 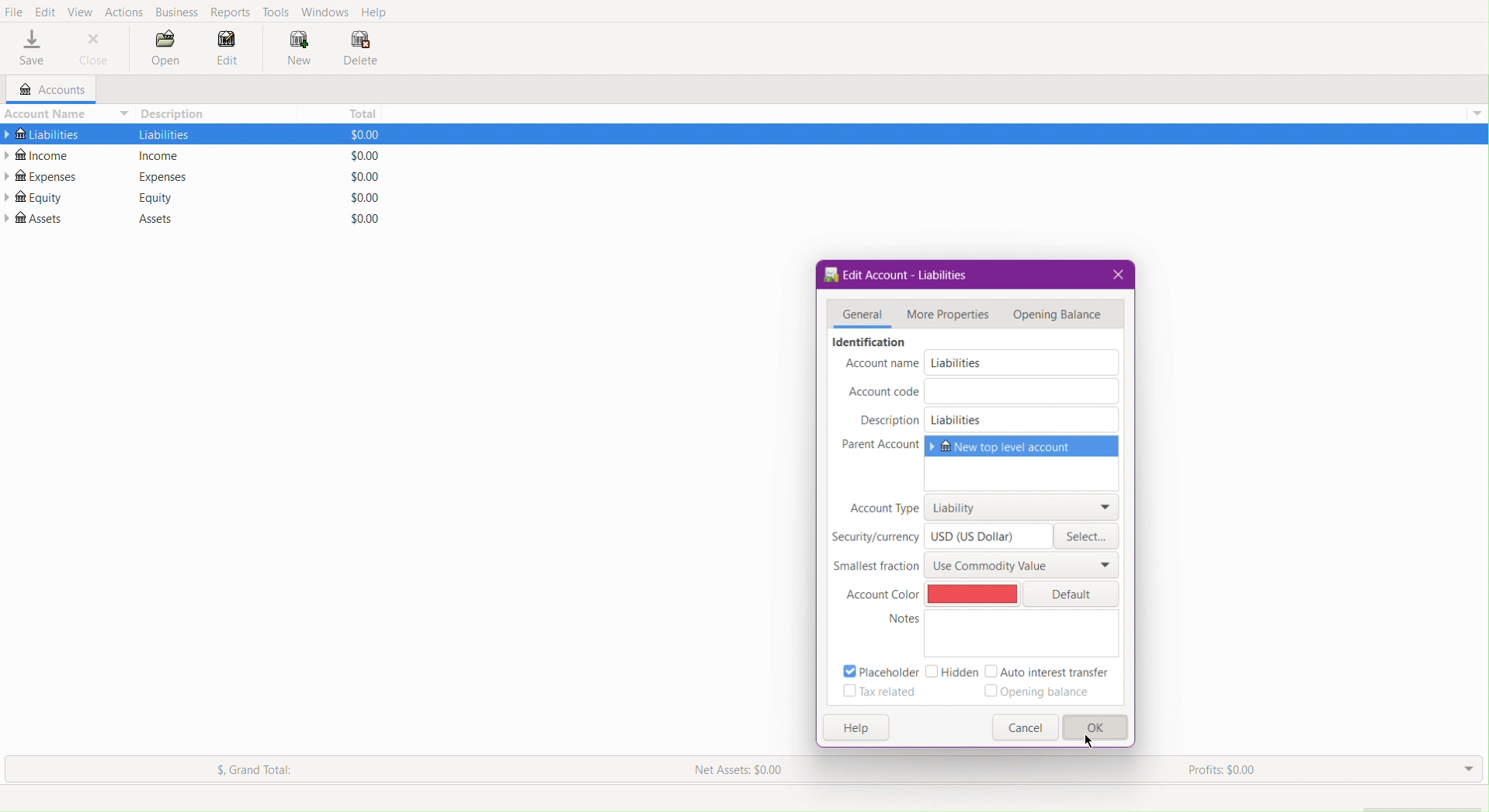 What do you see at coordinates (1021, 636) in the screenshot?
I see `Notes` at bounding box center [1021, 636].